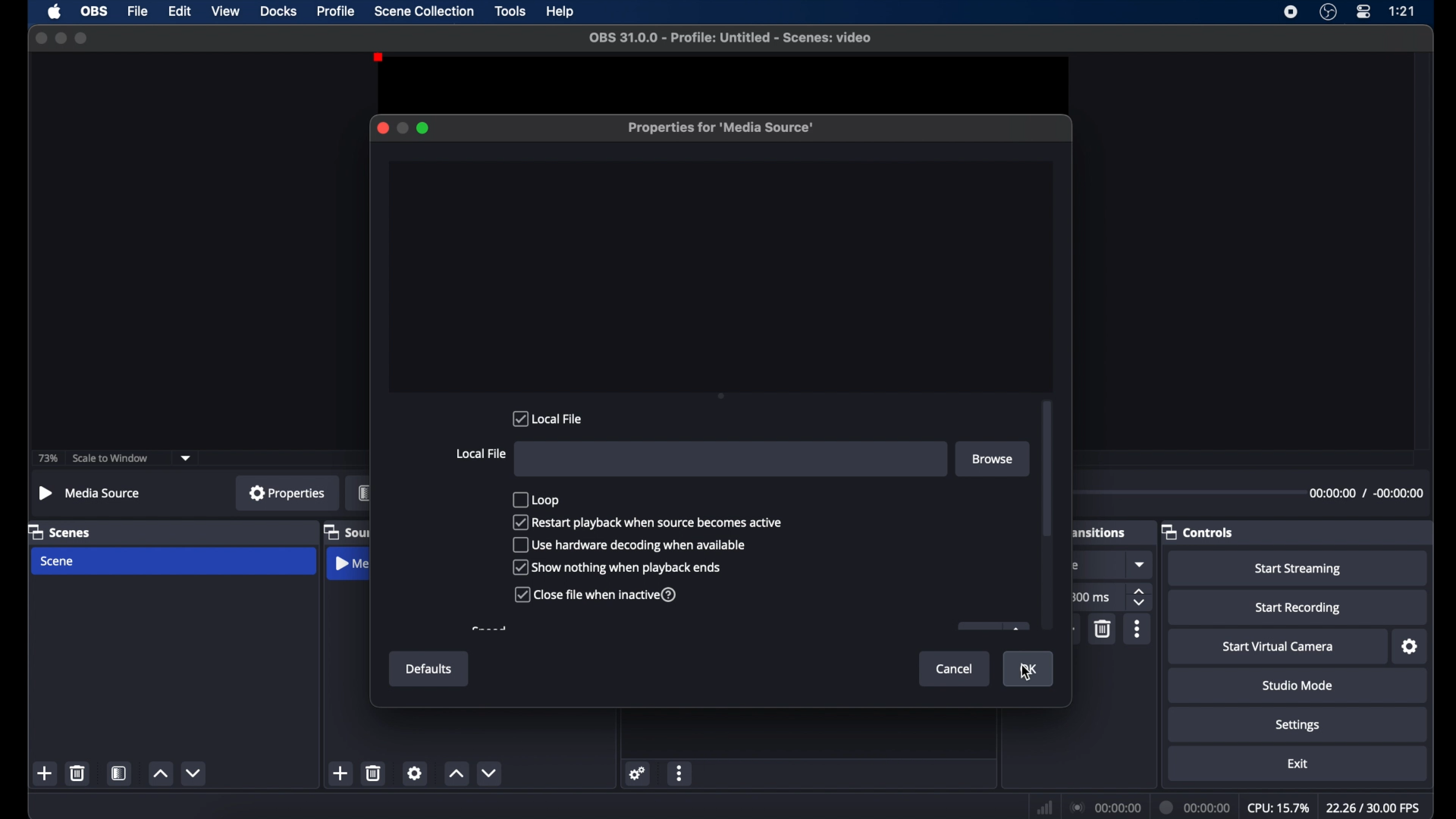 The image size is (1456, 819). I want to click on luma wipe, so click(1078, 565).